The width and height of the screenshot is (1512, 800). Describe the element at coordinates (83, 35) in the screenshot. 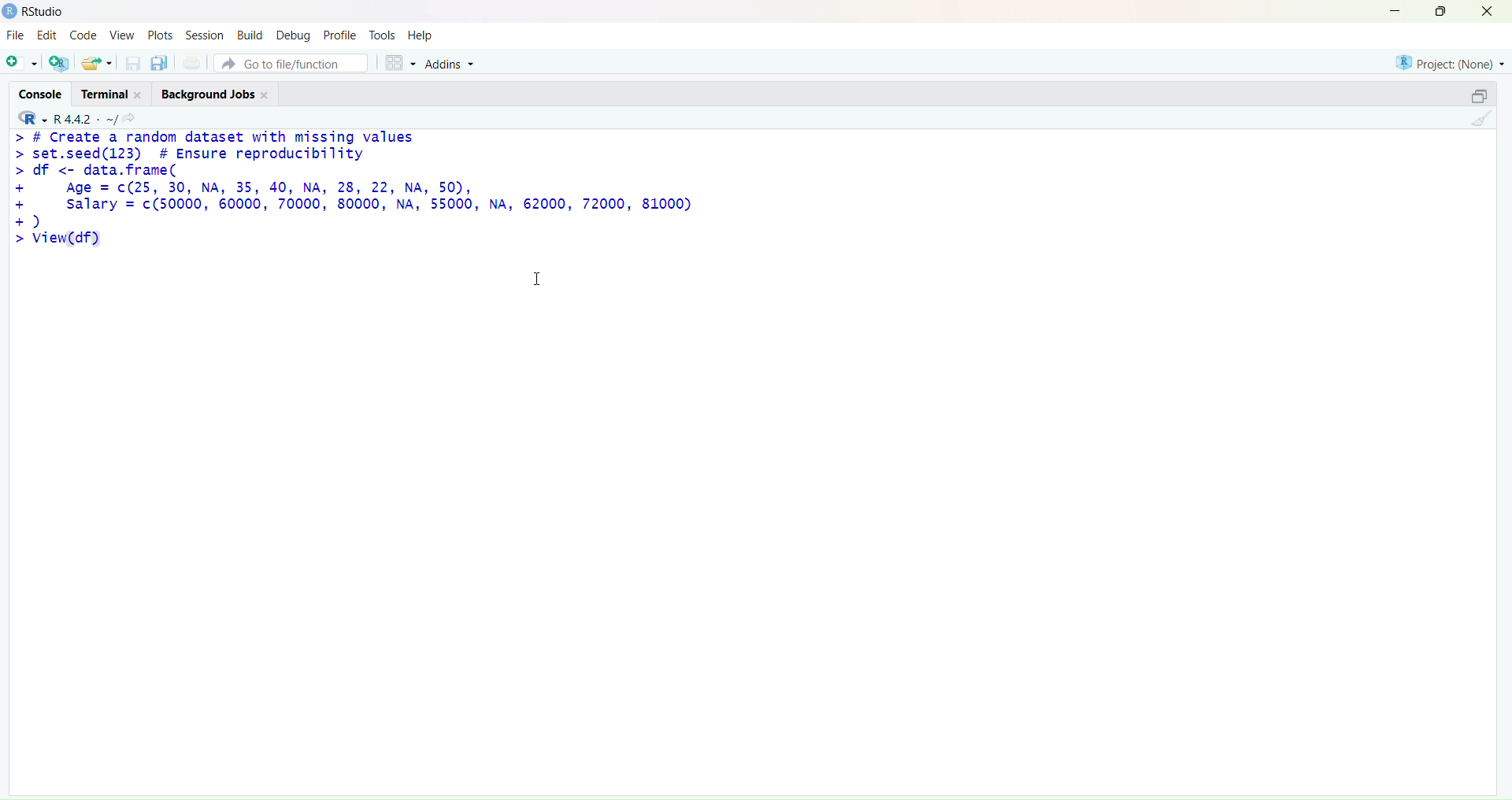

I see `code` at that location.